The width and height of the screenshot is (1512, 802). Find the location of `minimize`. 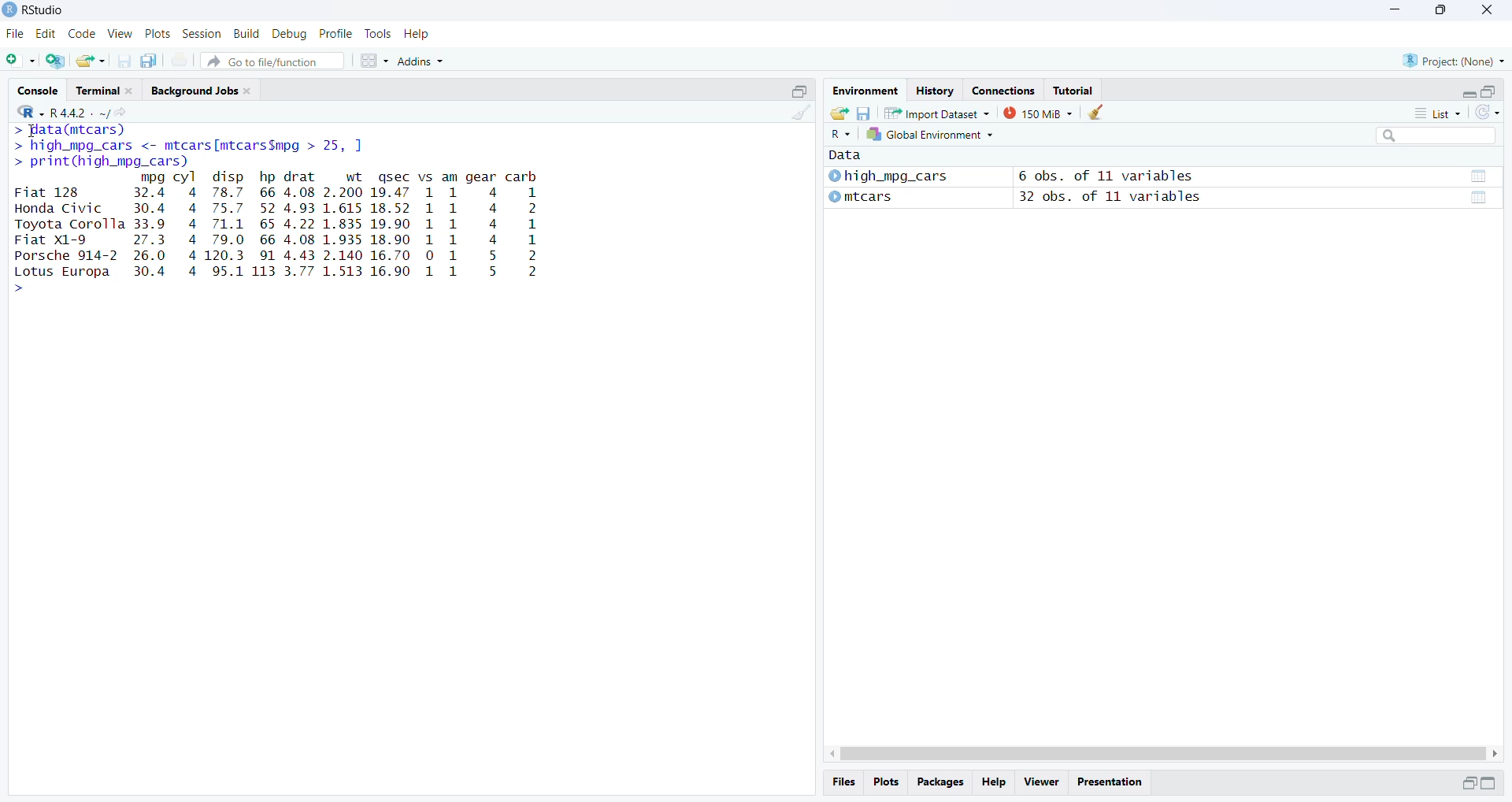

minimize is located at coordinates (1488, 783).